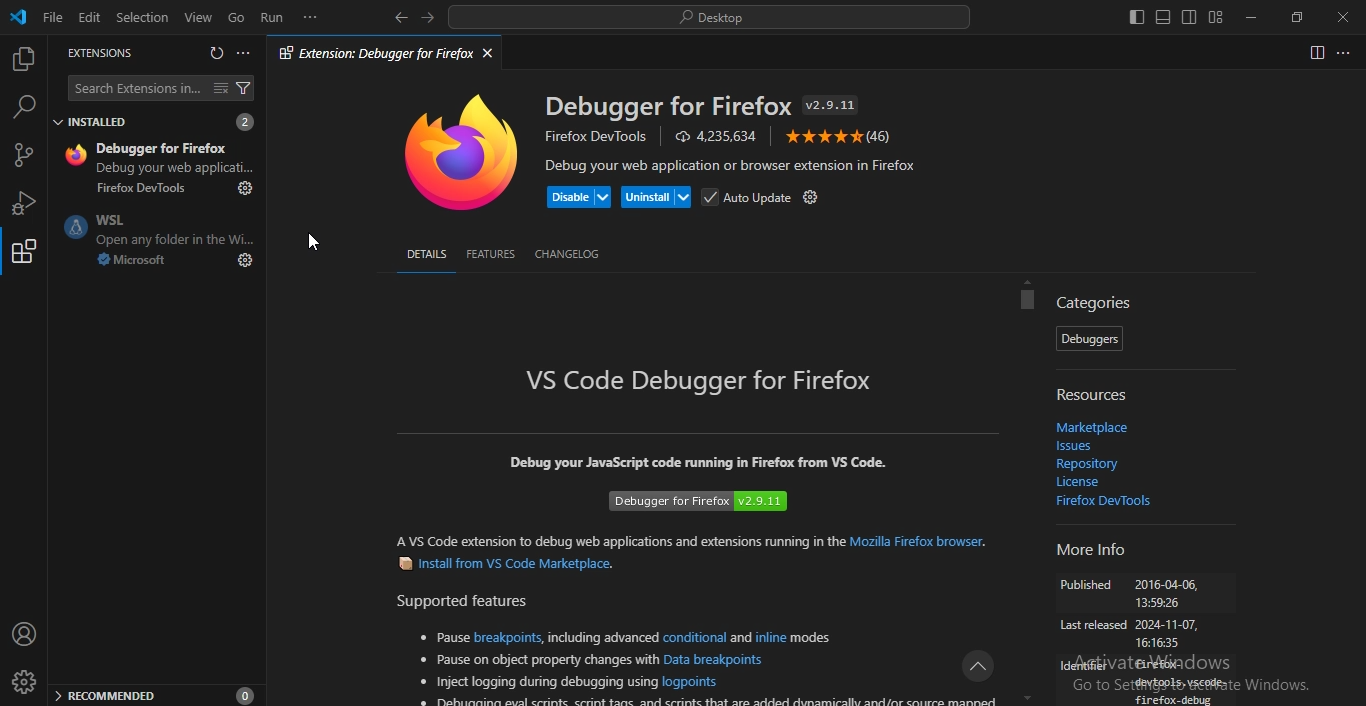 The width and height of the screenshot is (1366, 706). Describe the element at coordinates (1162, 18) in the screenshot. I see `toggle panel` at that location.